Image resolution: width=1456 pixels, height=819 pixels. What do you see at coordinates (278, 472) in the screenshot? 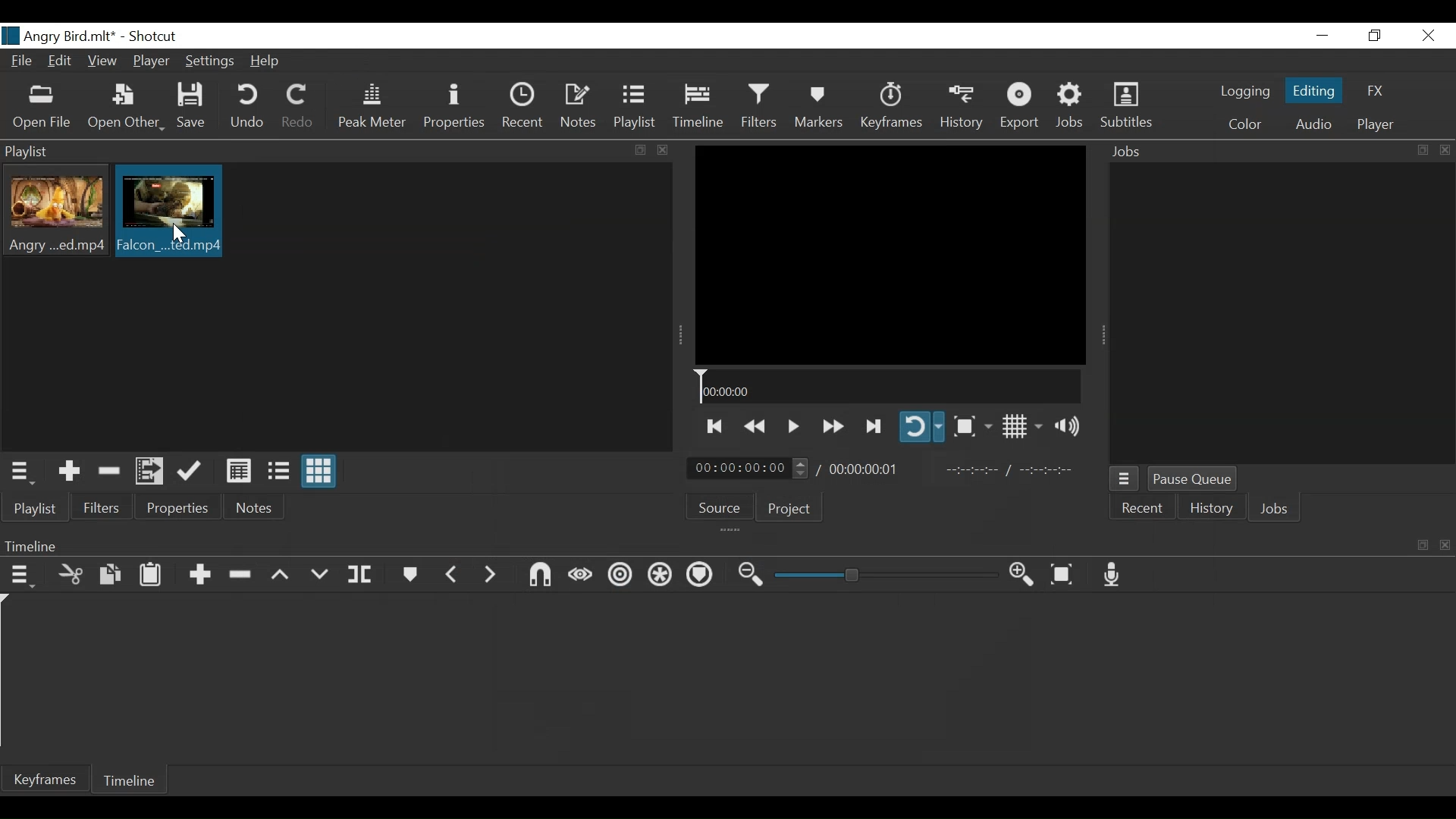
I see `View as files` at bounding box center [278, 472].